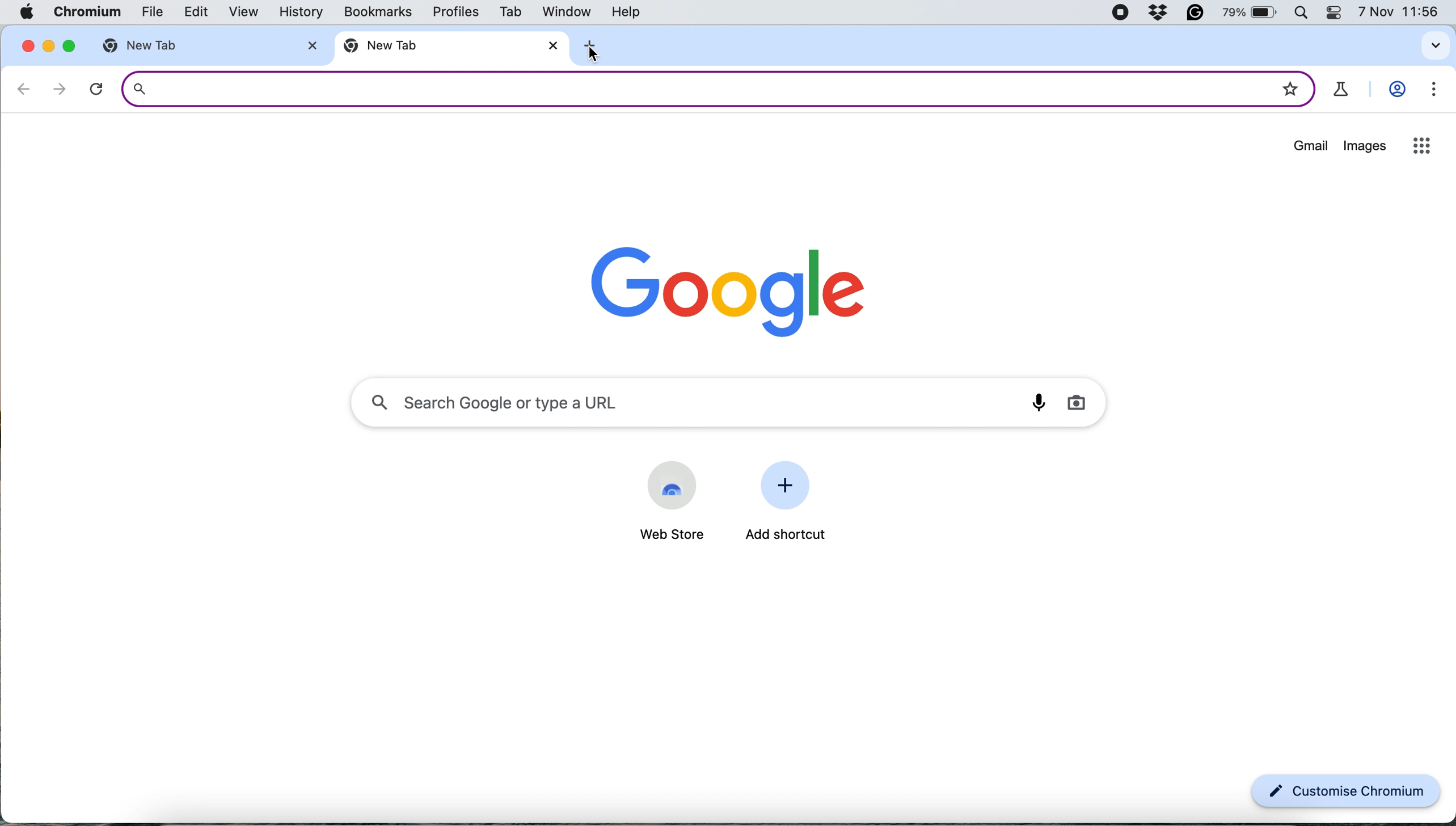  What do you see at coordinates (1337, 13) in the screenshot?
I see `control center` at bounding box center [1337, 13].